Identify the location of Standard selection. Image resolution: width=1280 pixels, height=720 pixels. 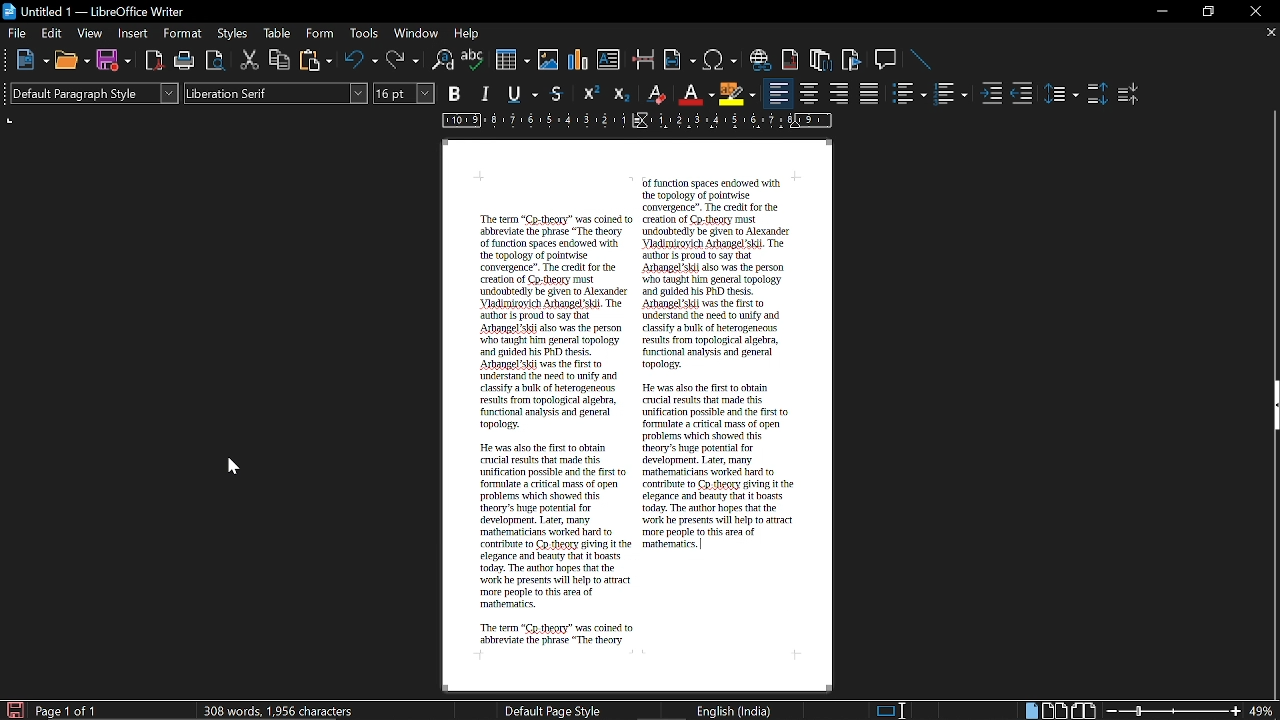
(894, 708).